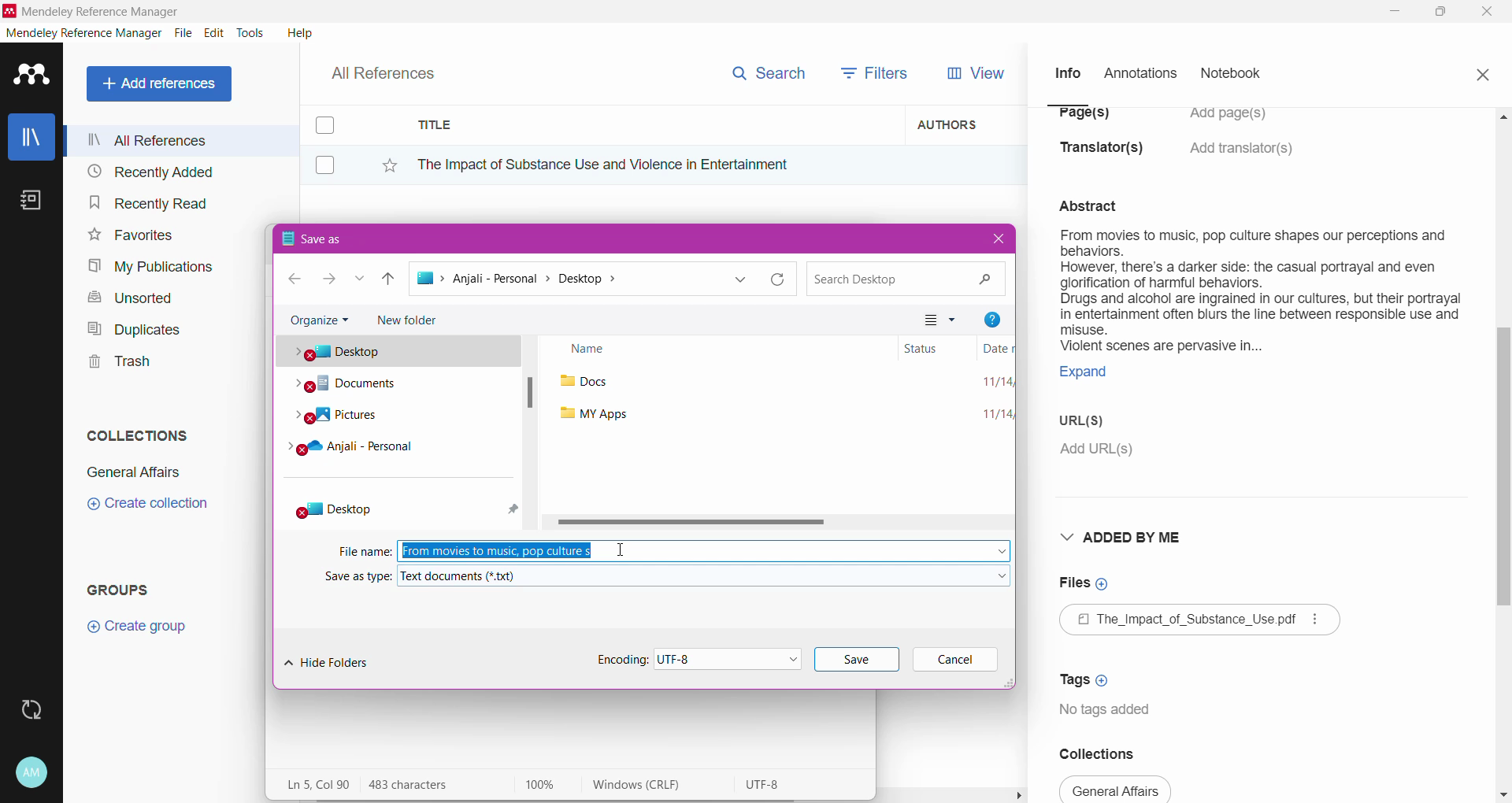 The height and width of the screenshot is (803, 1512). What do you see at coordinates (990, 350) in the screenshot?
I see `Date modified` at bounding box center [990, 350].